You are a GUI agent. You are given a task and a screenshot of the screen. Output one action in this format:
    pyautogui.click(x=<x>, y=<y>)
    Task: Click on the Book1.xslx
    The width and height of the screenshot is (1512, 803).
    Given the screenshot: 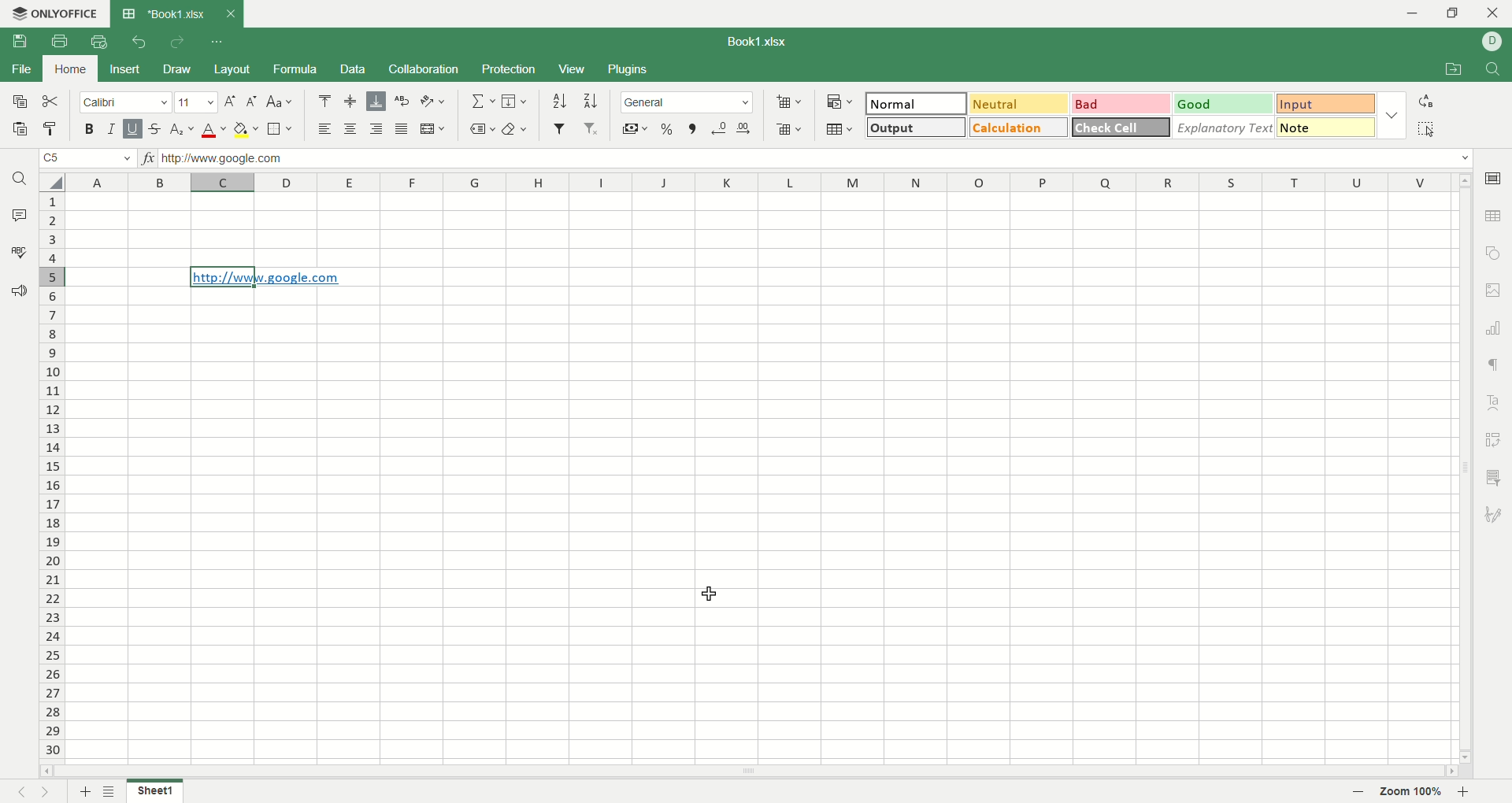 What is the action you would take?
    pyautogui.click(x=176, y=13)
    